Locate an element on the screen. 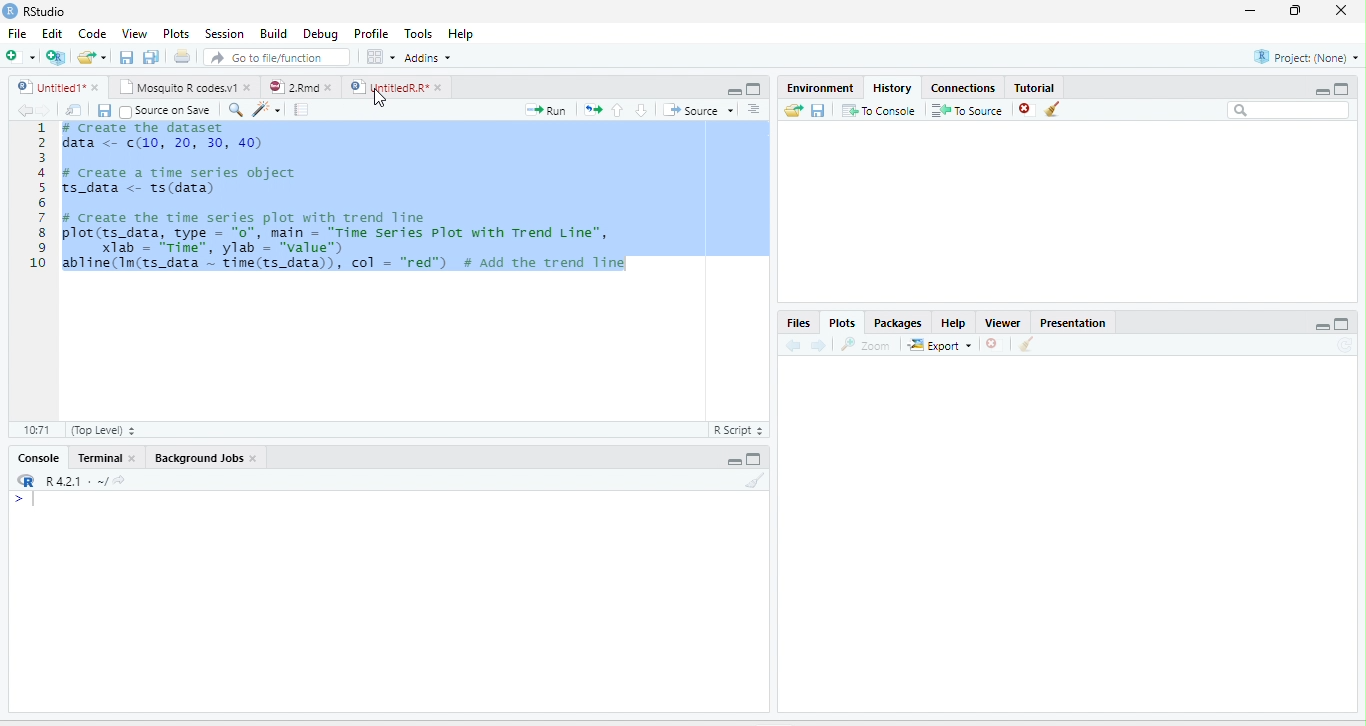 Image resolution: width=1366 pixels, height=726 pixels. R 4.2.1 . ~/ is located at coordinates (76, 479).